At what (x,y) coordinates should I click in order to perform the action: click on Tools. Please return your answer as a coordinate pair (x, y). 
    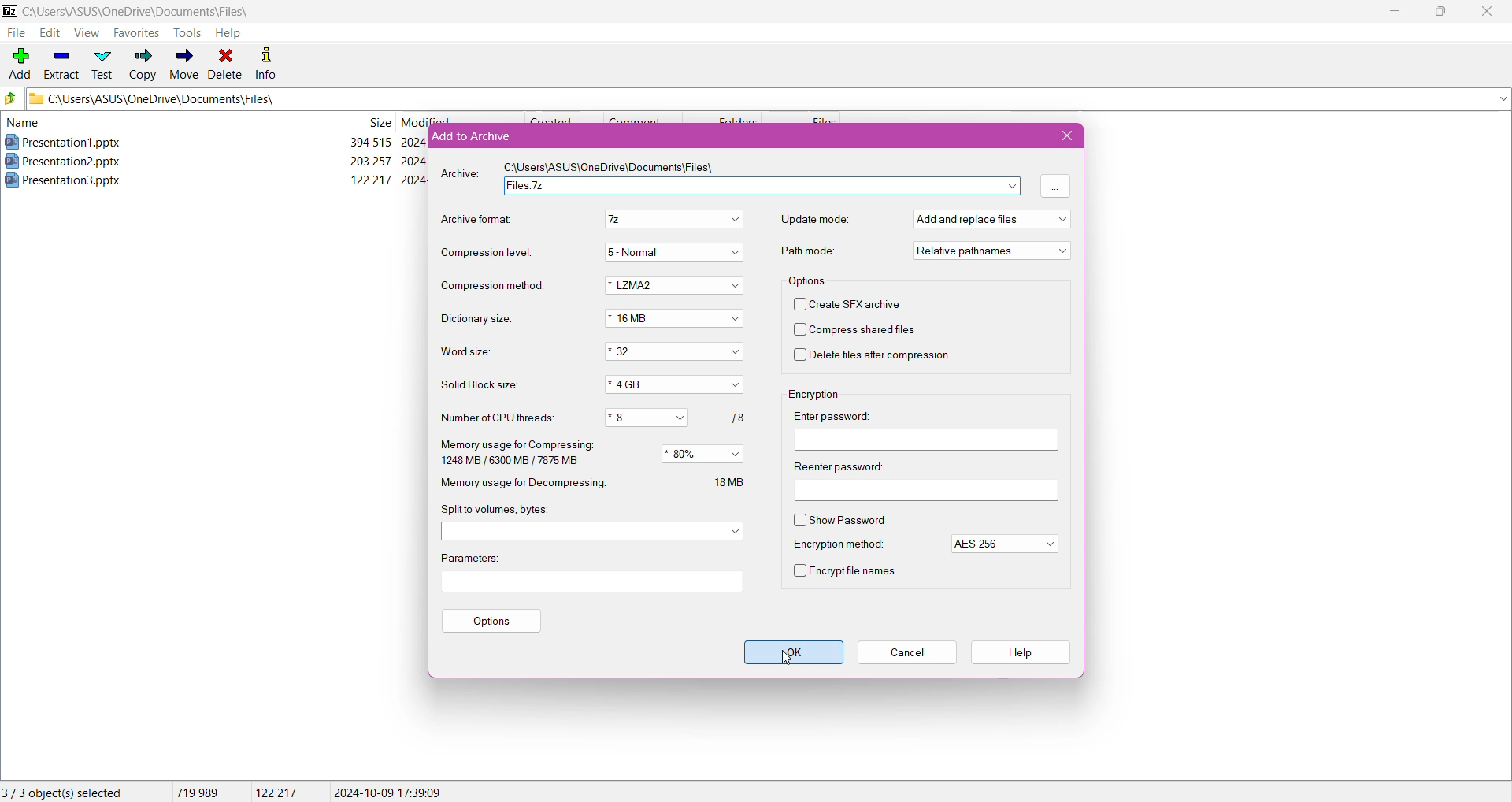
    Looking at the image, I should click on (185, 32).